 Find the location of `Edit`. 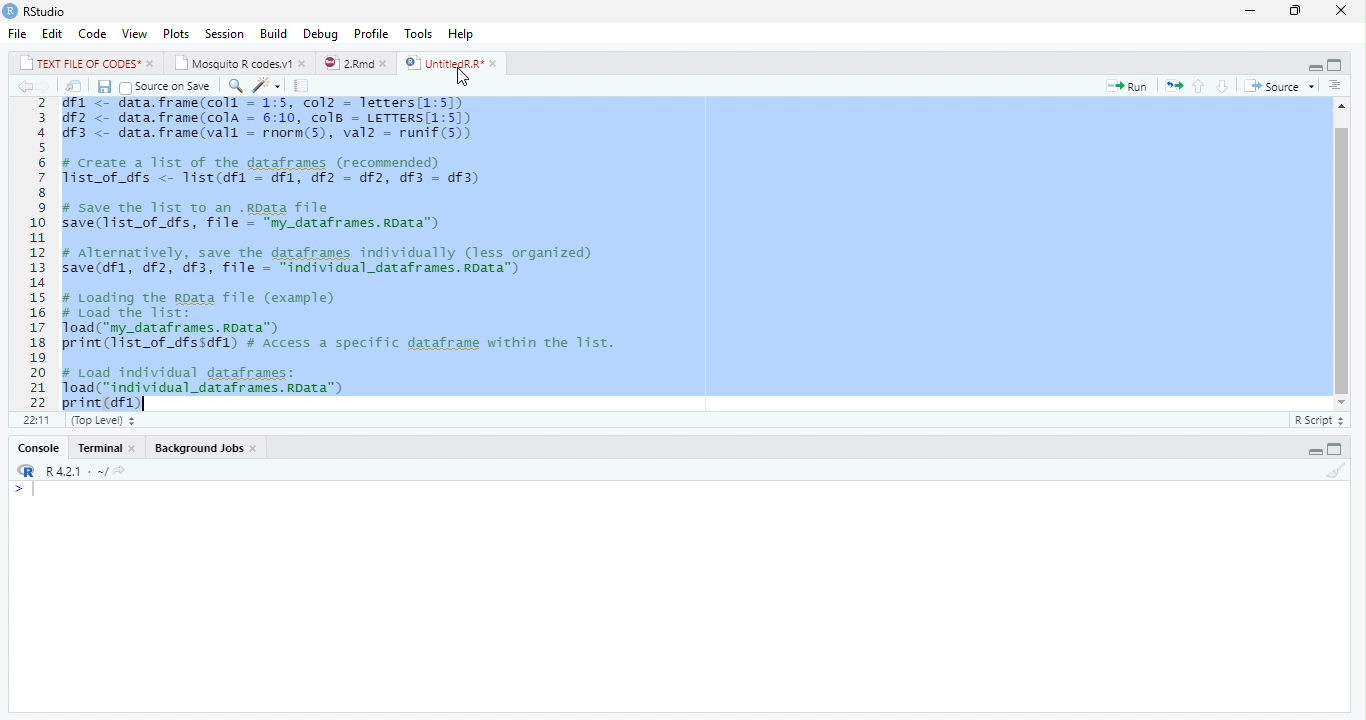

Edit is located at coordinates (53, 33).